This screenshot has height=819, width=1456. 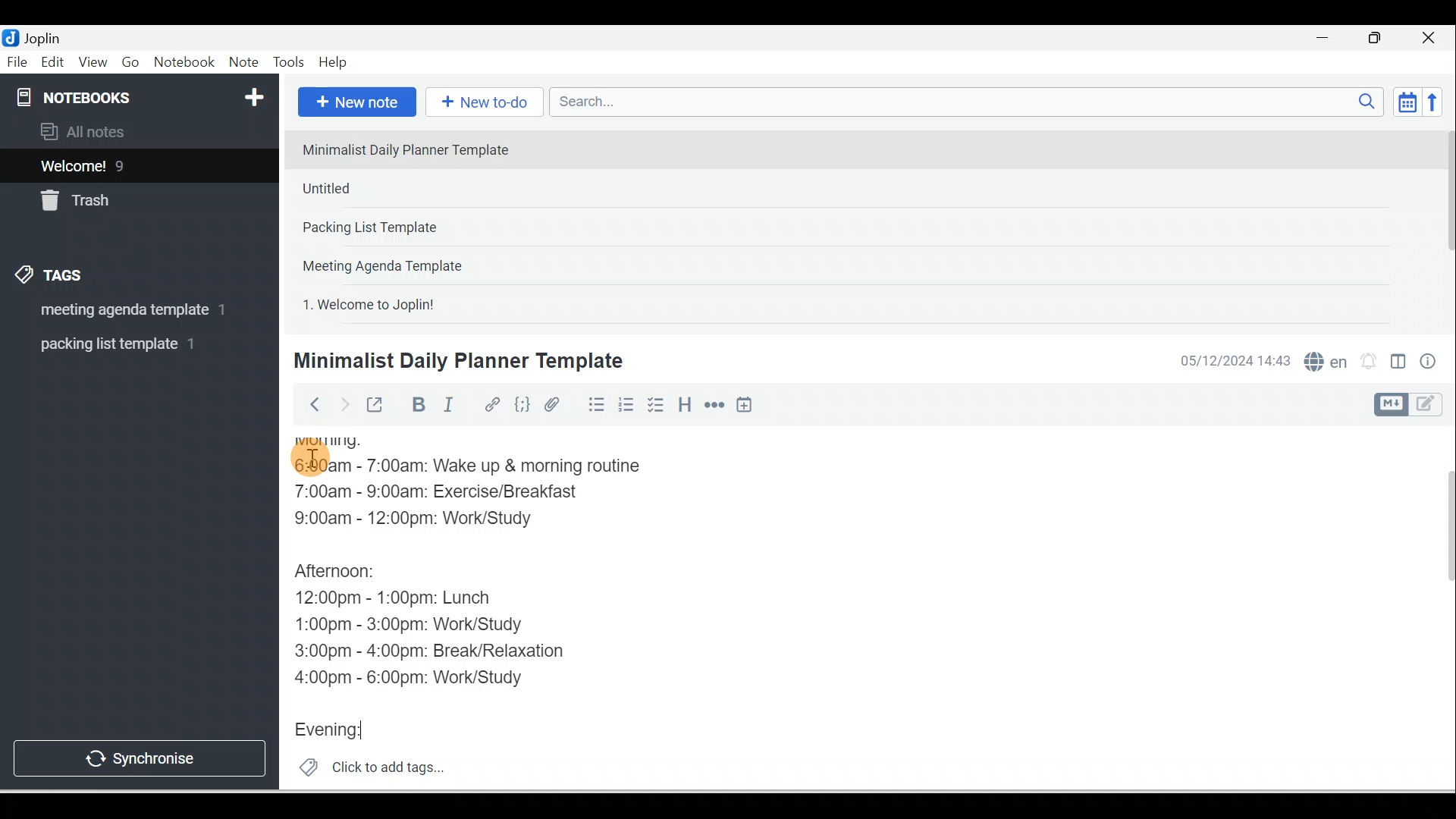 What do you see at coordinates (480, 465) in the screenshot?
I see `6:00am - 7:00am: Wake up & morning routine` at bounding box center [480, 465].